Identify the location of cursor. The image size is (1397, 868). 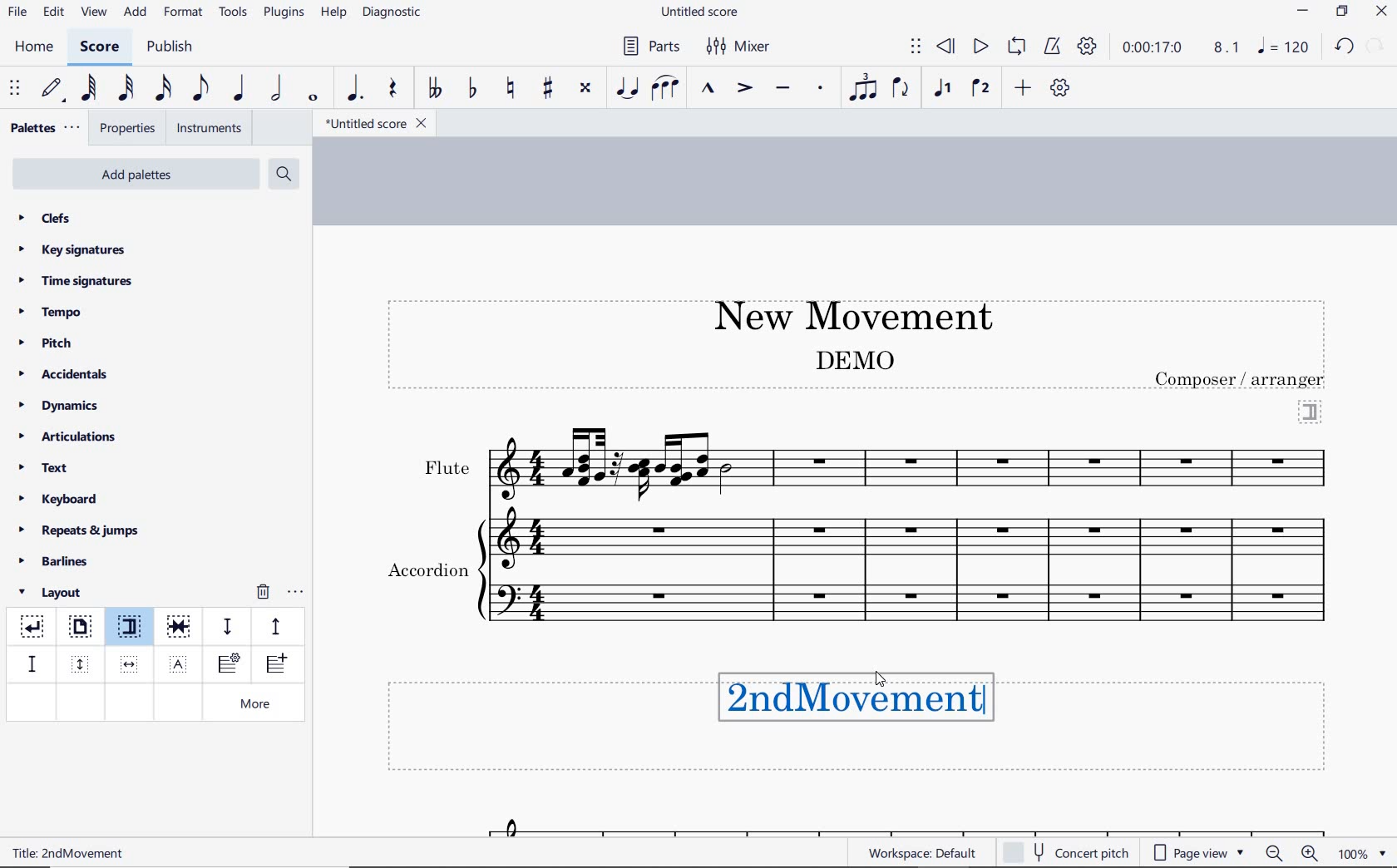
(883, 682).